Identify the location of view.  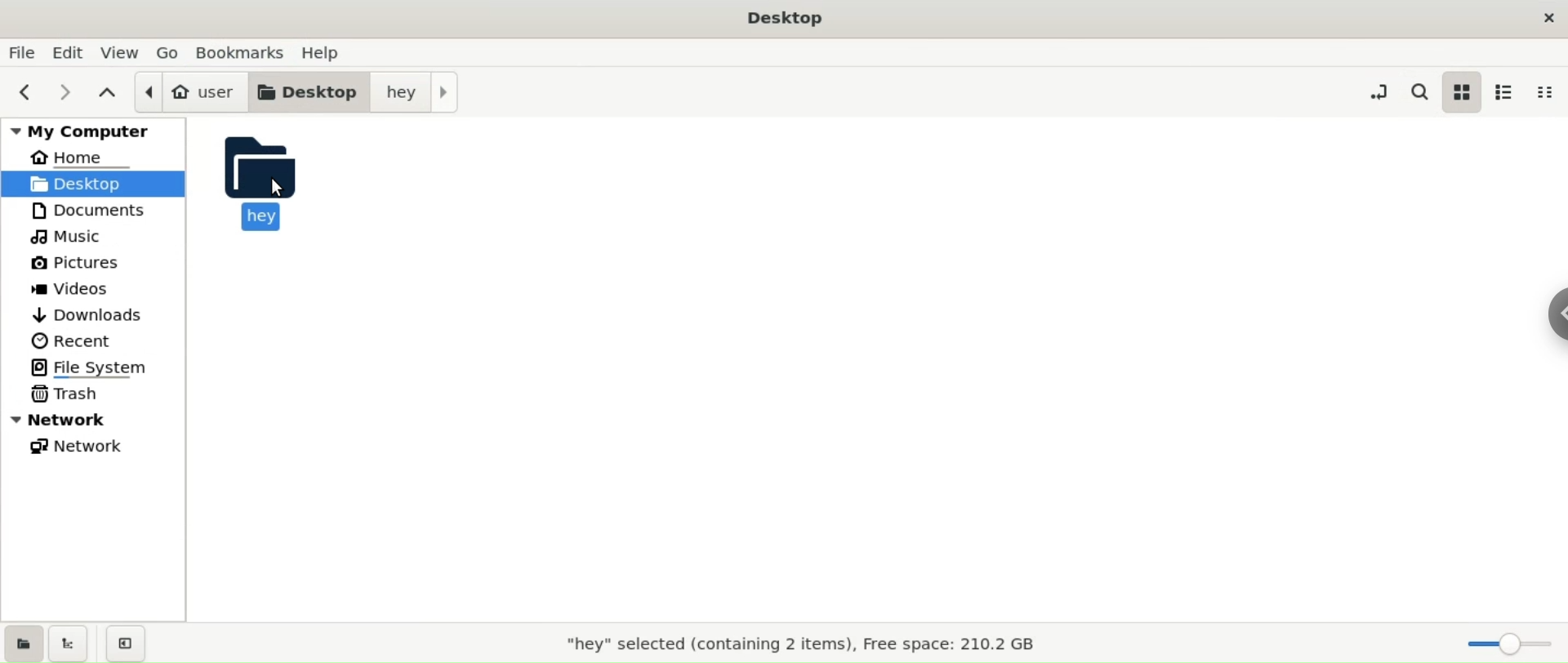
(121, 51).